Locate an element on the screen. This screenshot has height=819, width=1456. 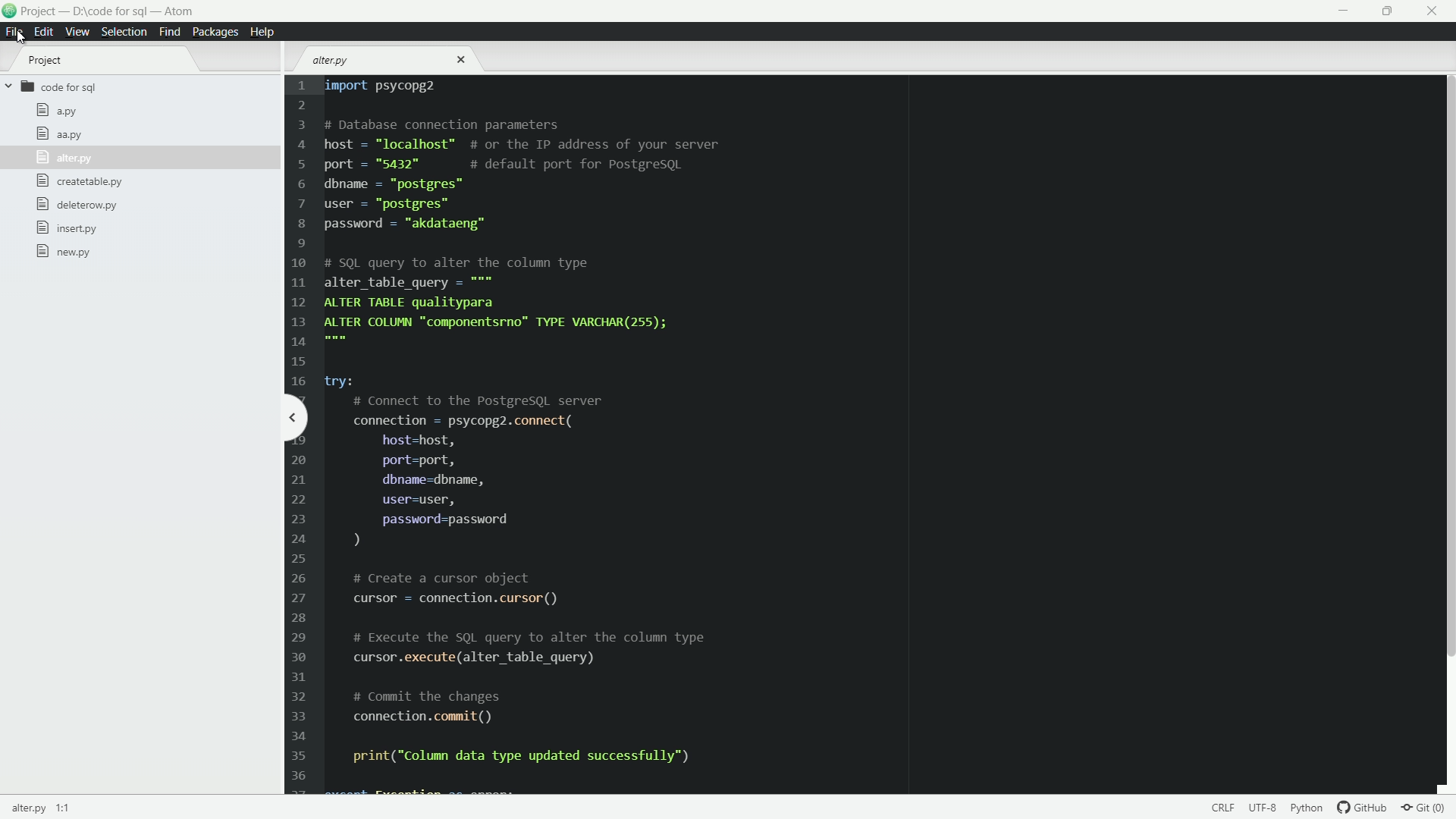
deleterow.py file is located at coordinates (77, 204).